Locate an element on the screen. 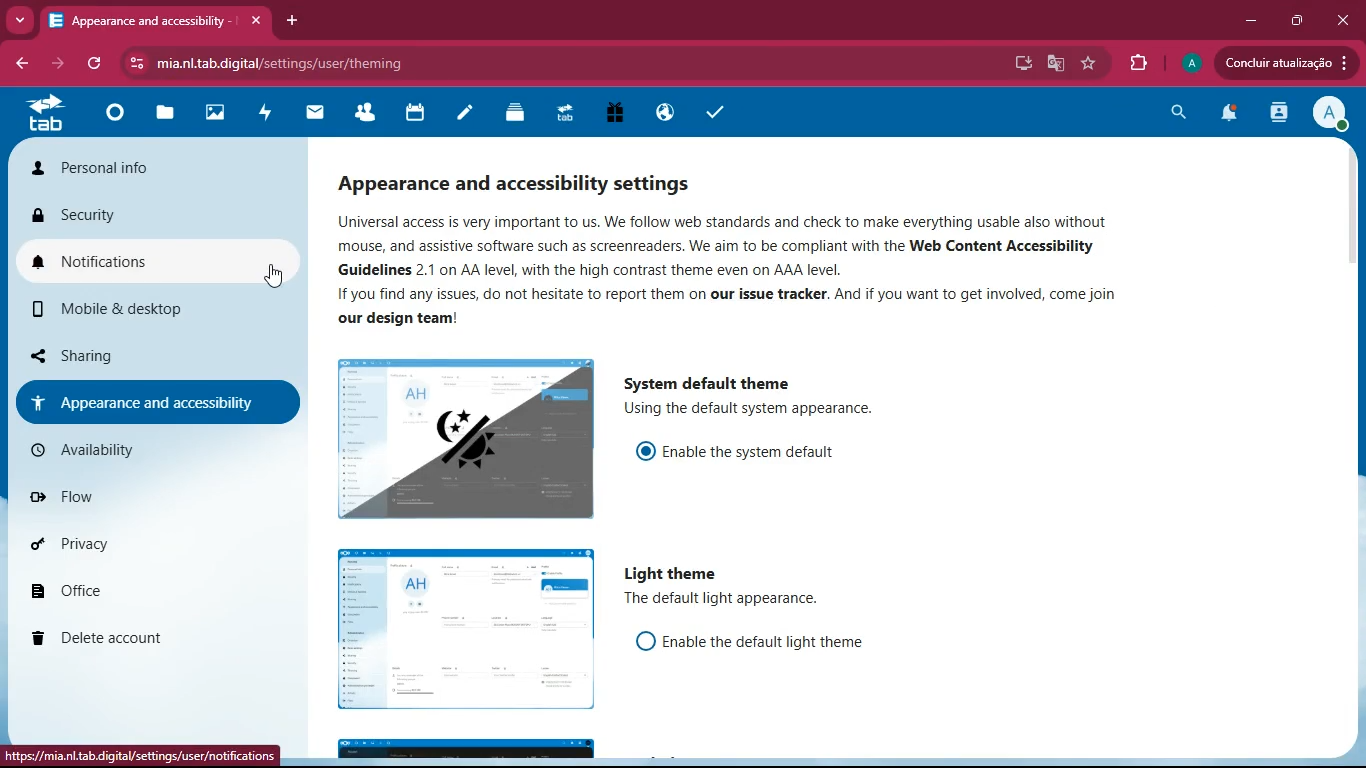 This screenshot has height=768, width=1366. files is located at coordinates (170, 114).